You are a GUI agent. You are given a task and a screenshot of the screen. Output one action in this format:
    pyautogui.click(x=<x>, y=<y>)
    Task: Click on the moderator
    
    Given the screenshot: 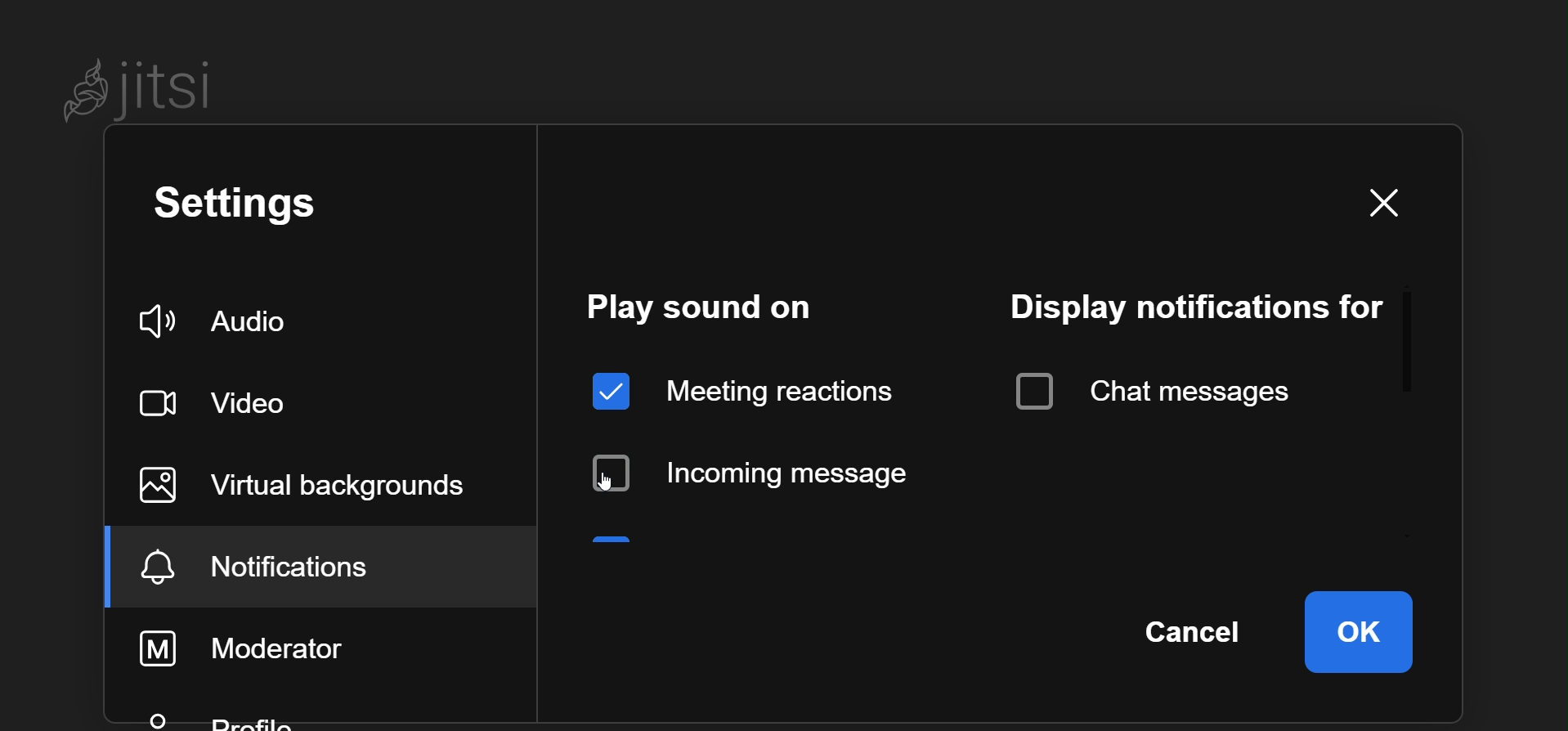 What is the action you would take?
    pyautogui.click(x=262, y=645)
    